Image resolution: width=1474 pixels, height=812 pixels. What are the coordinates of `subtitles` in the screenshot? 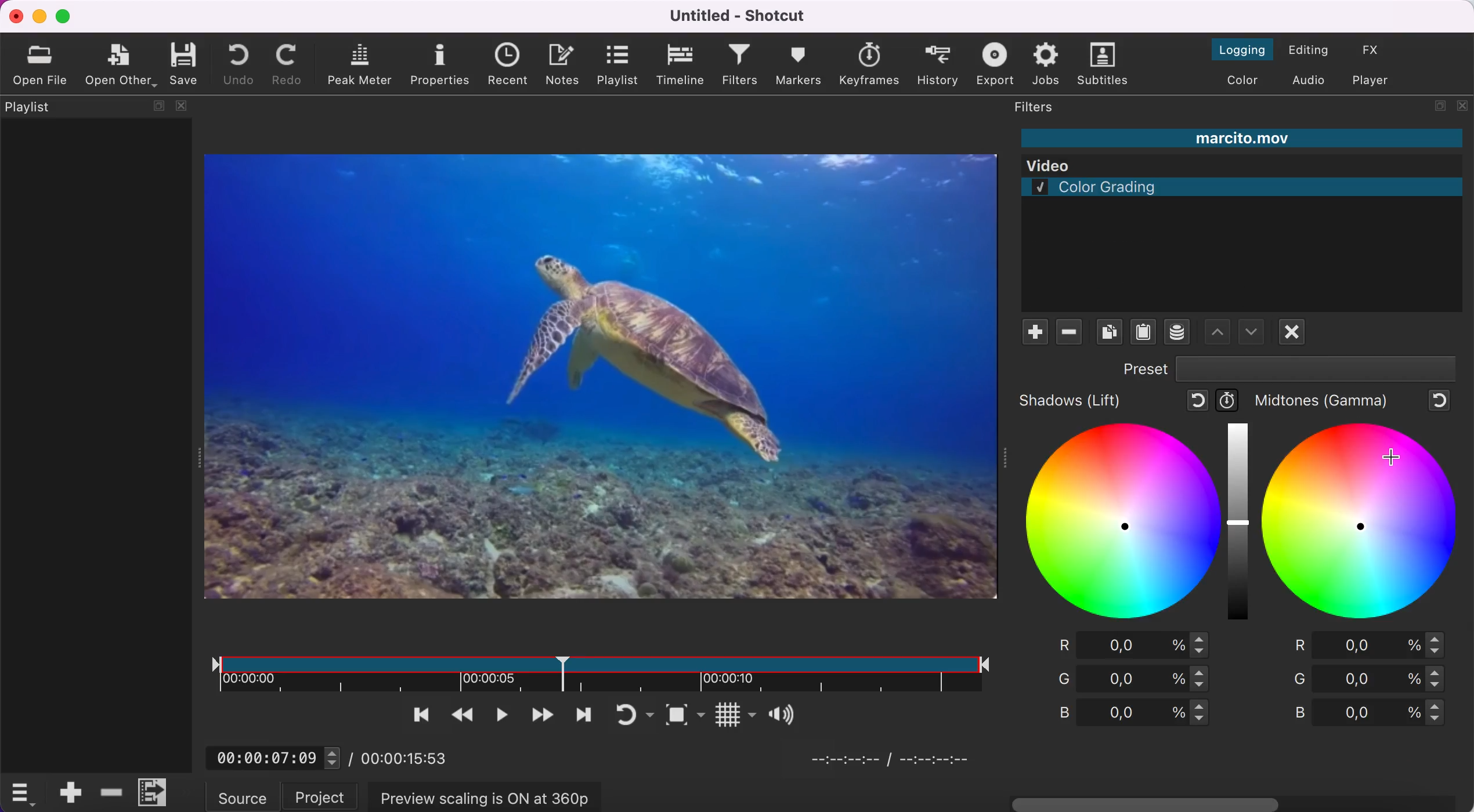 It's located at (1104, 66).